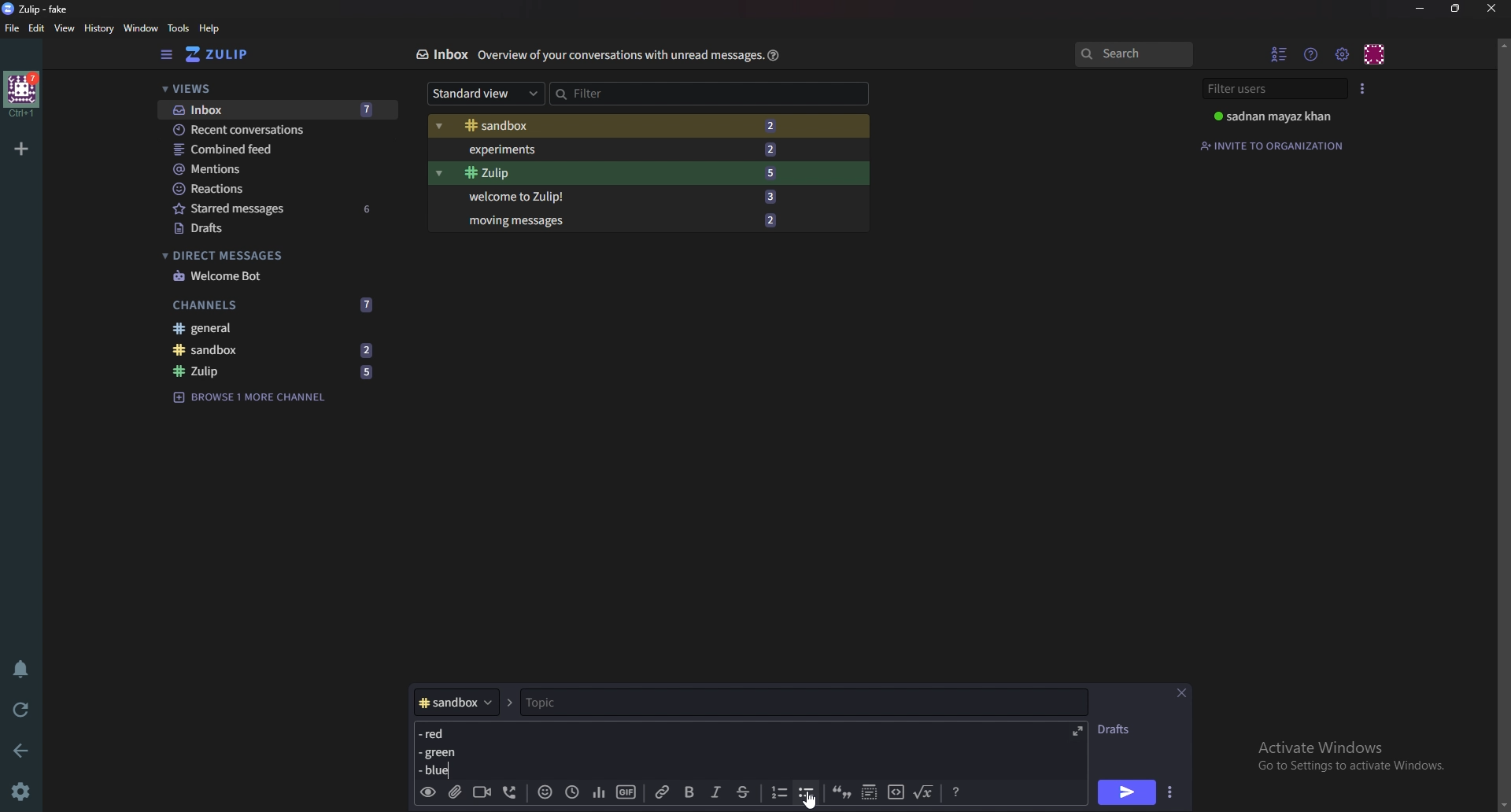 This screenshot has height=812, width=1511. I want to click on Settings, so click(20, 793).